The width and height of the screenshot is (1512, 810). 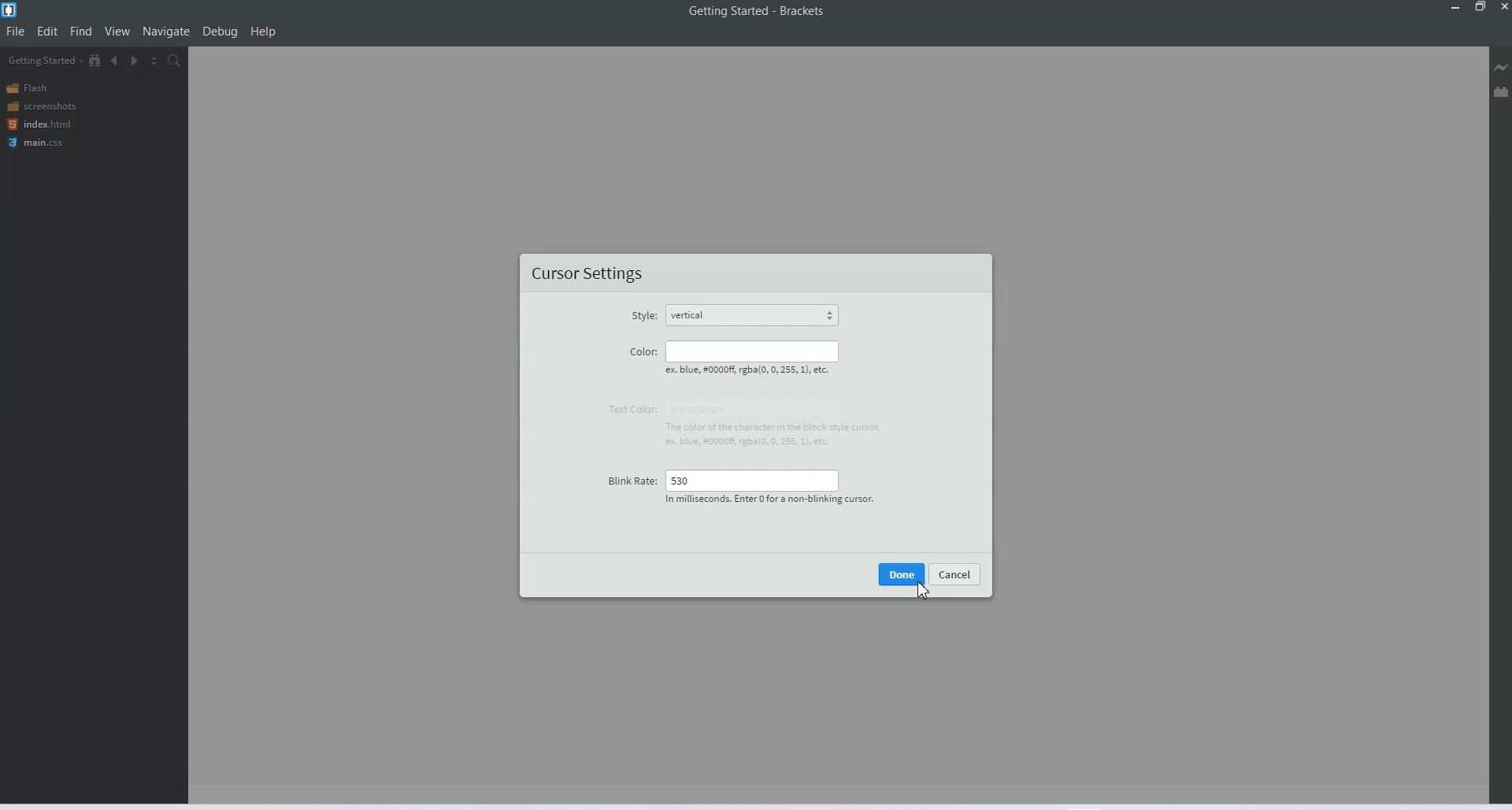 What do you see at coordinates (755, 351) in the screenshot?
I see `input box` at bounding box center [755, 351].